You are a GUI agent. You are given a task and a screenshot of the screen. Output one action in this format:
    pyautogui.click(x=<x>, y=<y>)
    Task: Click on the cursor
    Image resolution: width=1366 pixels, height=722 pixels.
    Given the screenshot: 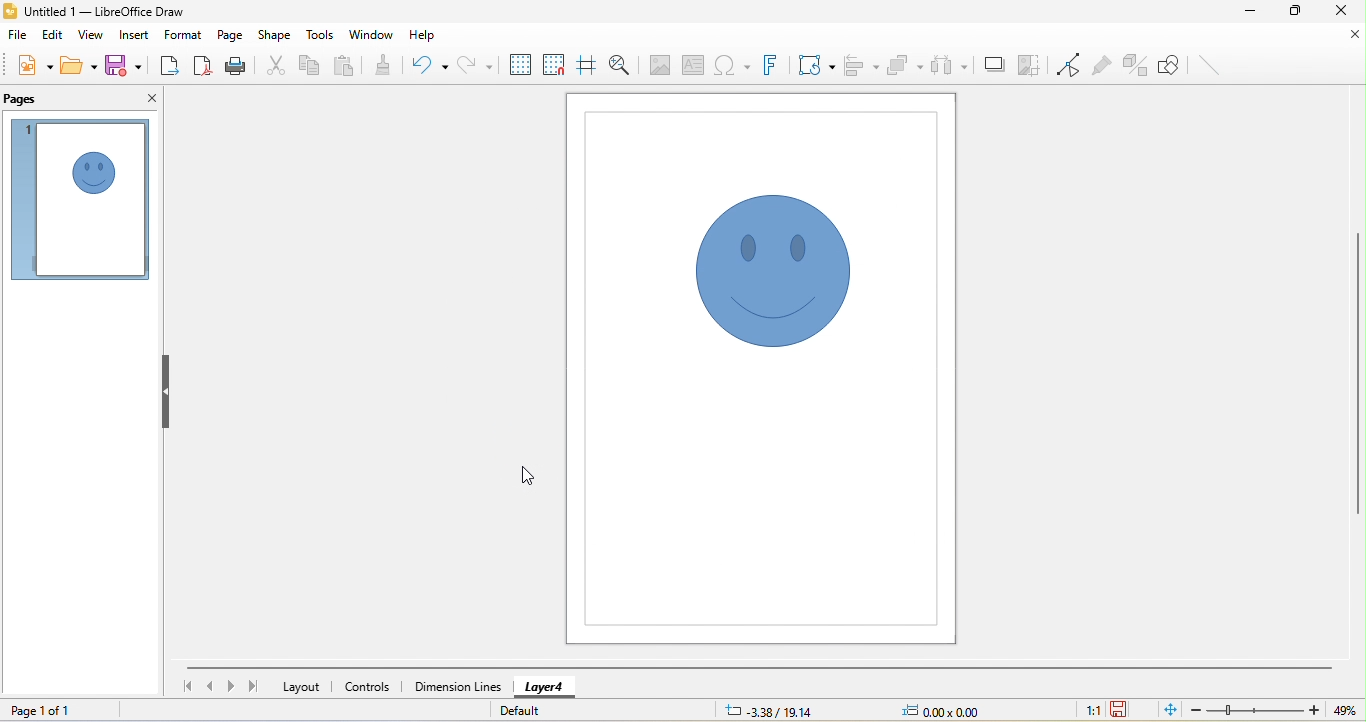 What is the action you would take?
    pyautogui.click(x=524, y=477)
    